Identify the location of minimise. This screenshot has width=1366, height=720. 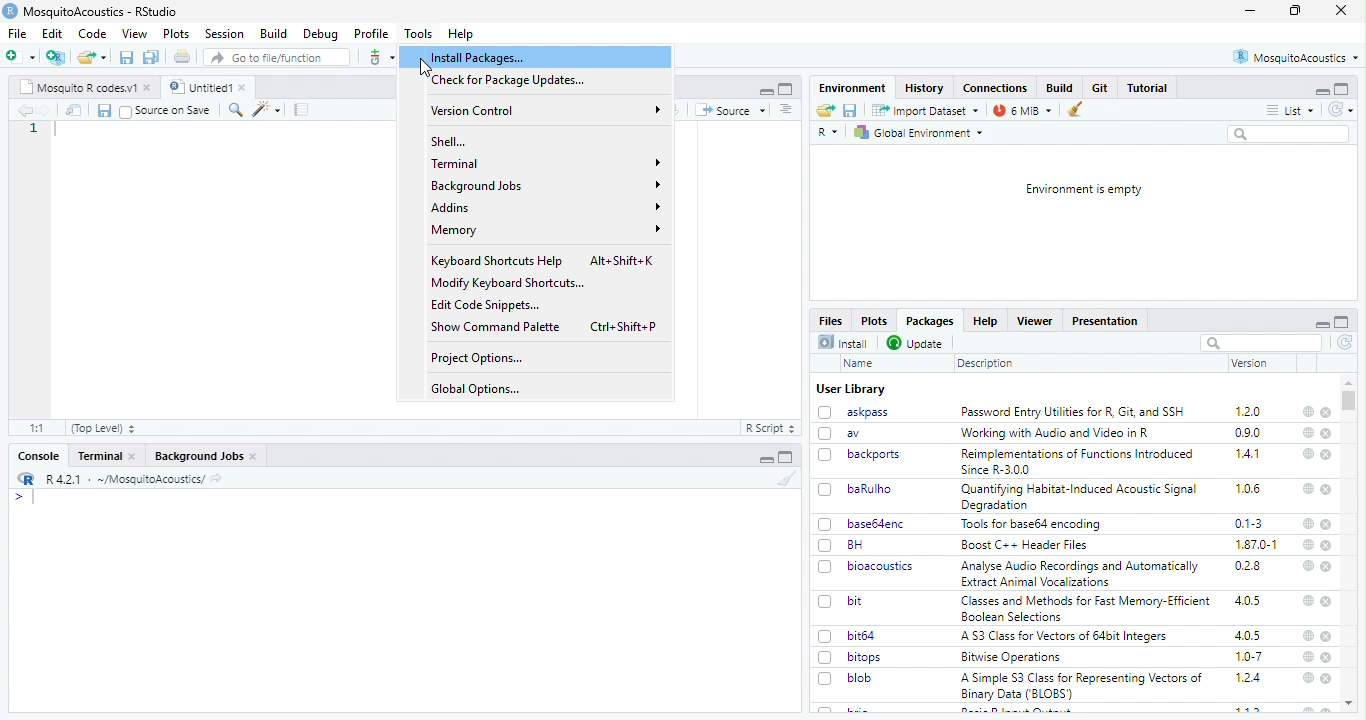
(1324, 325).